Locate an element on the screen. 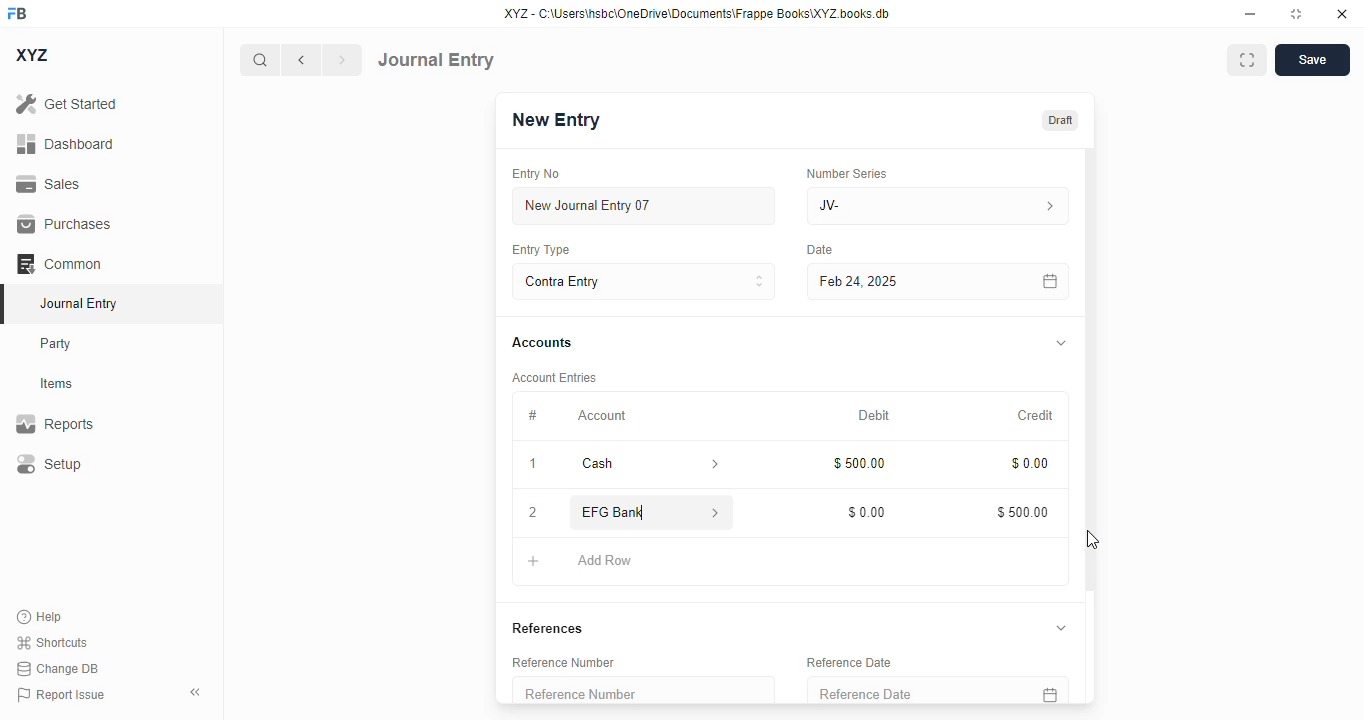  purchases is located at coordinates (66, 224).